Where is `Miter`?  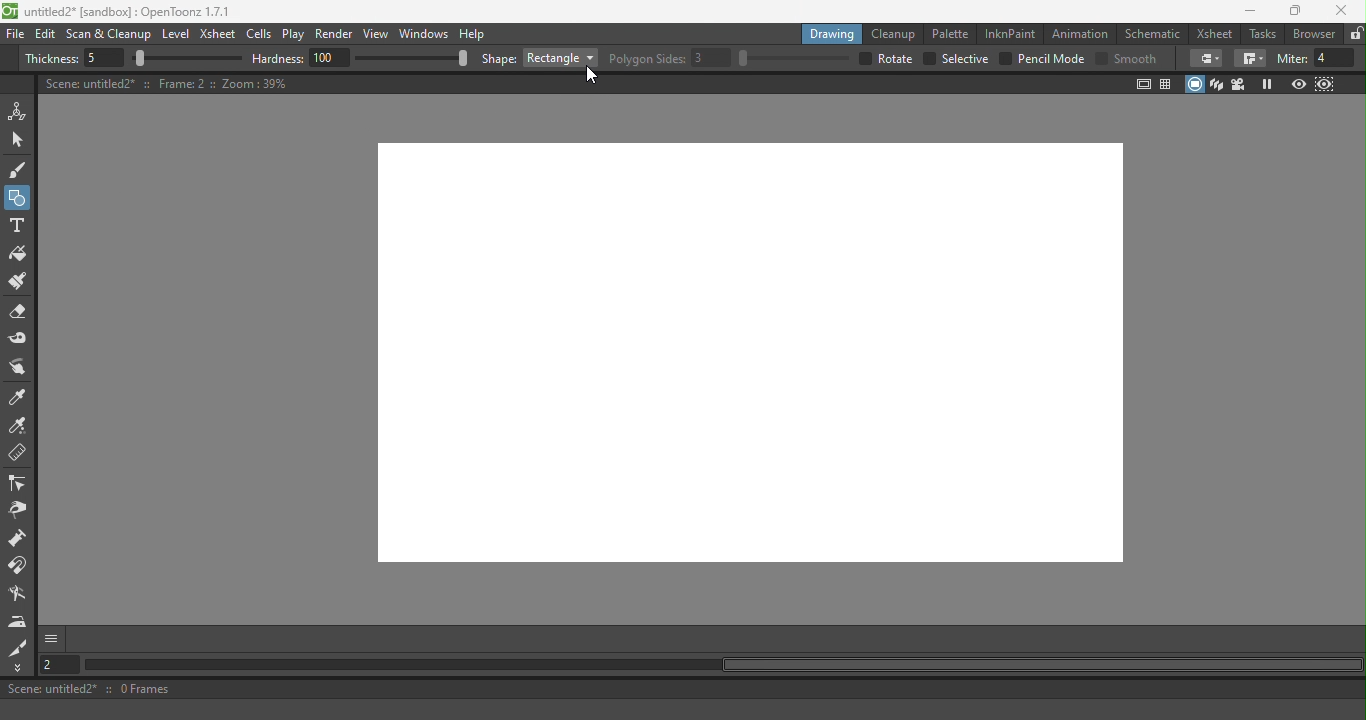 Miter is located at coordinates (1320, 59).